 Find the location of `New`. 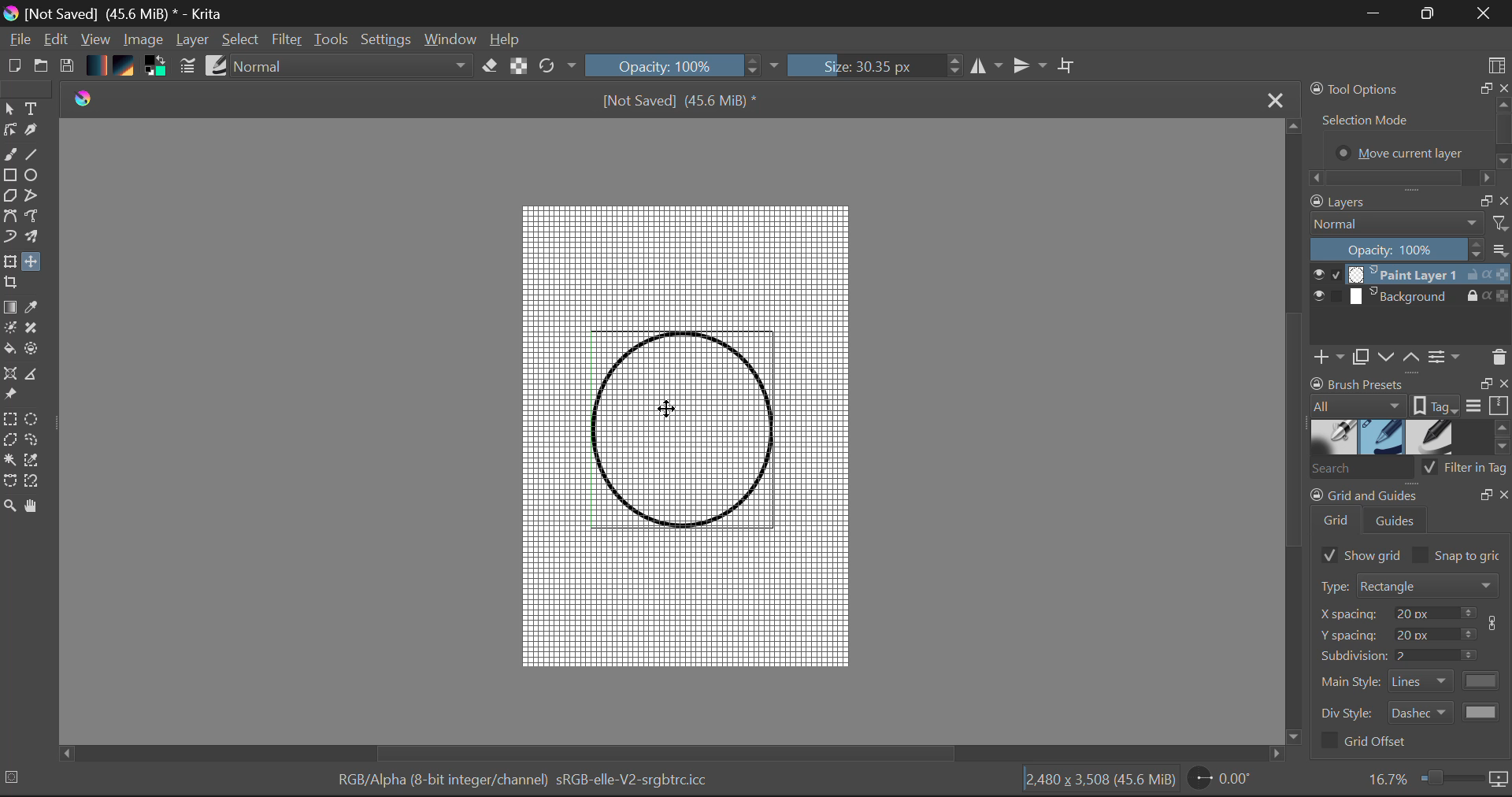

New is located at coordinates (11, 67).